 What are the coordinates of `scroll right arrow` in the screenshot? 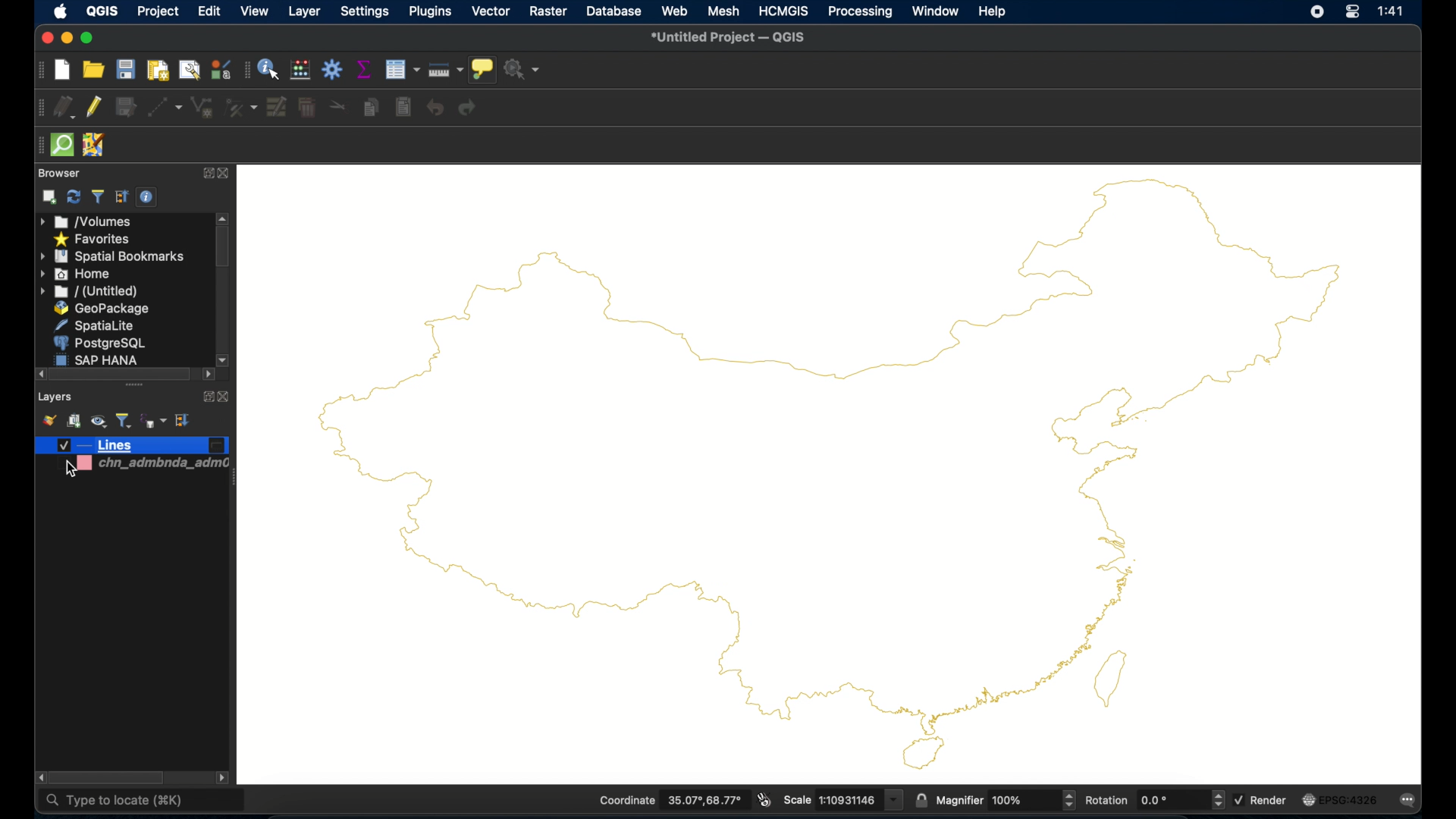 It's located at (37, 777).